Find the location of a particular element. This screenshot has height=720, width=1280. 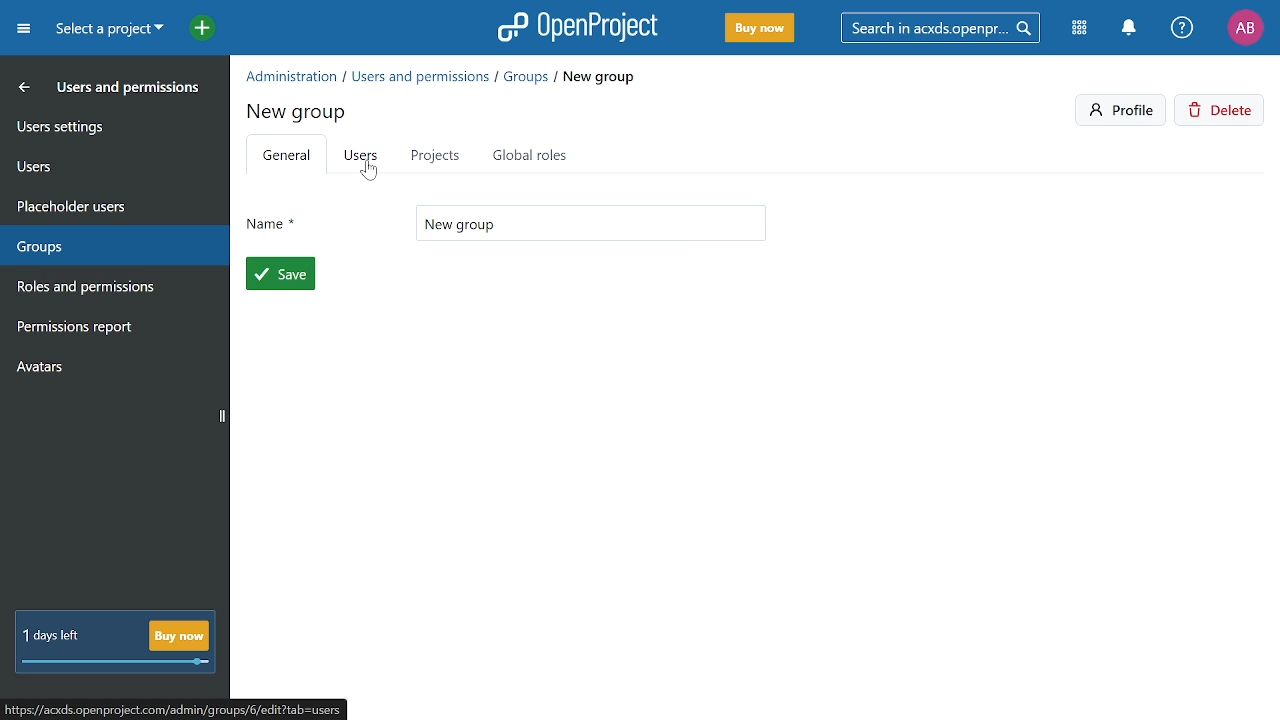

Global roles is located at coordinates (534, 155).